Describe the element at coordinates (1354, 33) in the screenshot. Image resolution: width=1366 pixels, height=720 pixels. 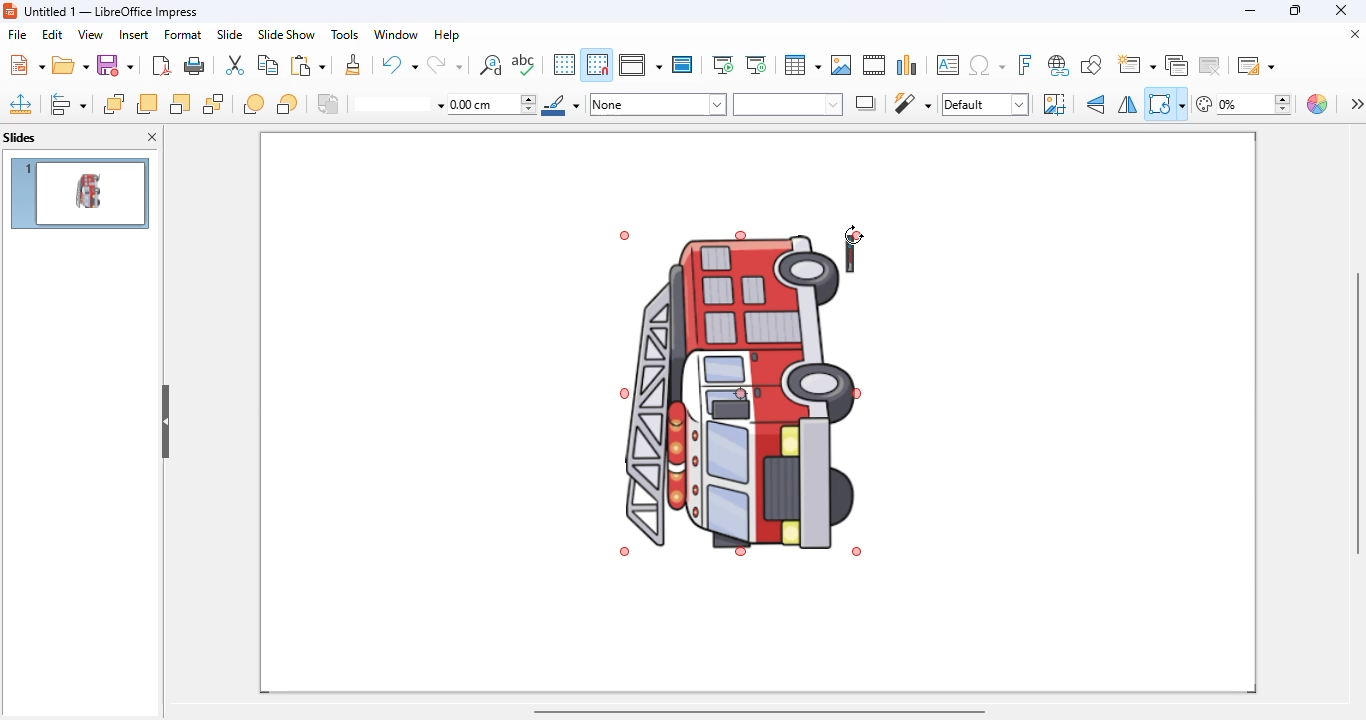
I see `close document` at that location.